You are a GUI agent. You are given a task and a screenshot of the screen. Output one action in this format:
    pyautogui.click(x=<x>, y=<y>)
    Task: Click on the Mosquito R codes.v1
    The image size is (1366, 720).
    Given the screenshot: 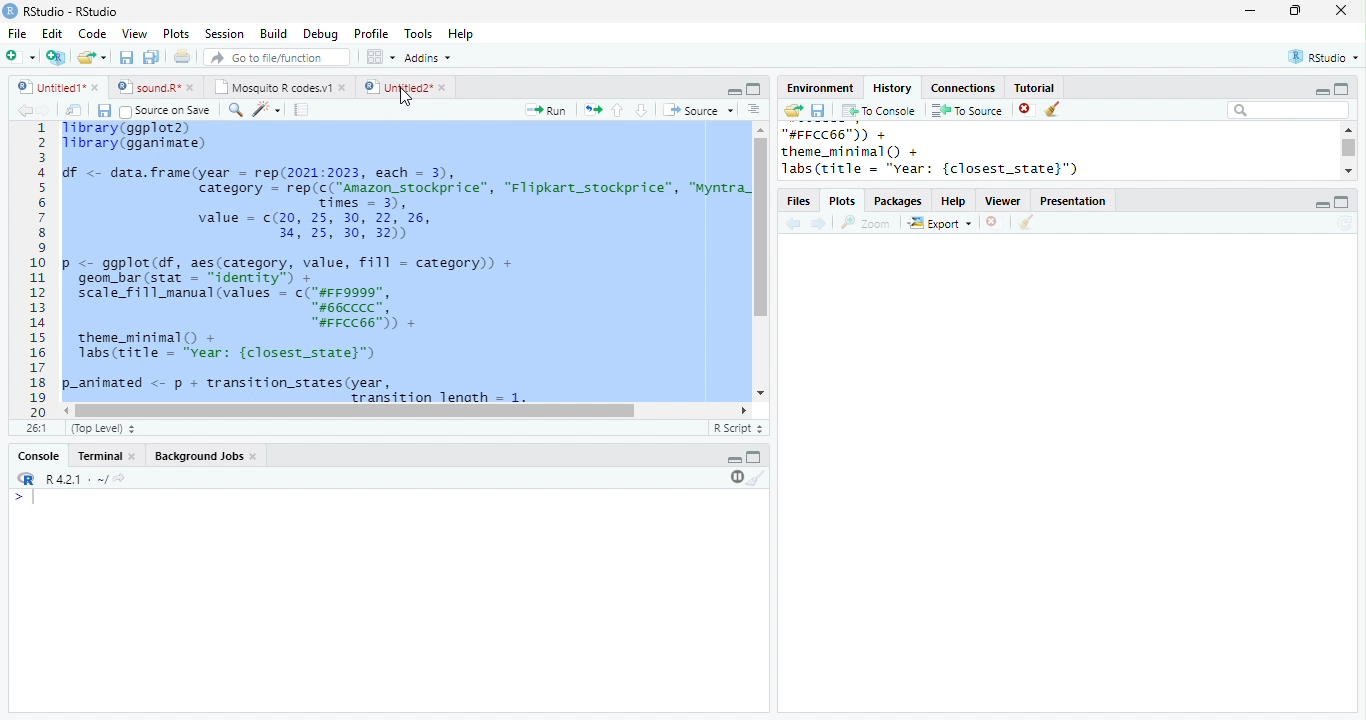 What is the action you would take?
    pyautogui.click(x=273, y=87)
    